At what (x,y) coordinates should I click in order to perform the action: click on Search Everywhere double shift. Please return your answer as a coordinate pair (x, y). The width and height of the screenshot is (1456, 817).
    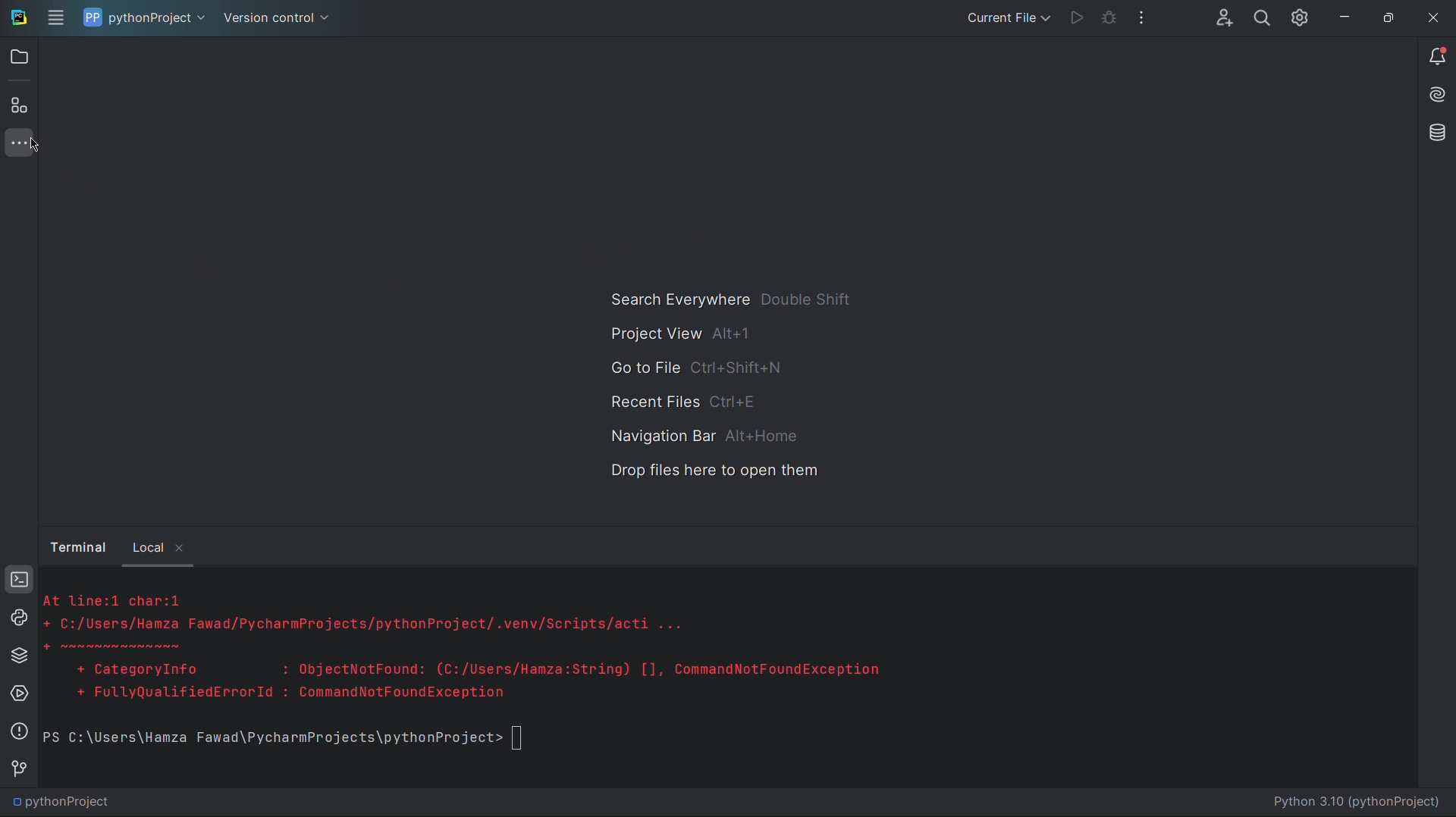
    Looking at the image, I should click on (726, 299).